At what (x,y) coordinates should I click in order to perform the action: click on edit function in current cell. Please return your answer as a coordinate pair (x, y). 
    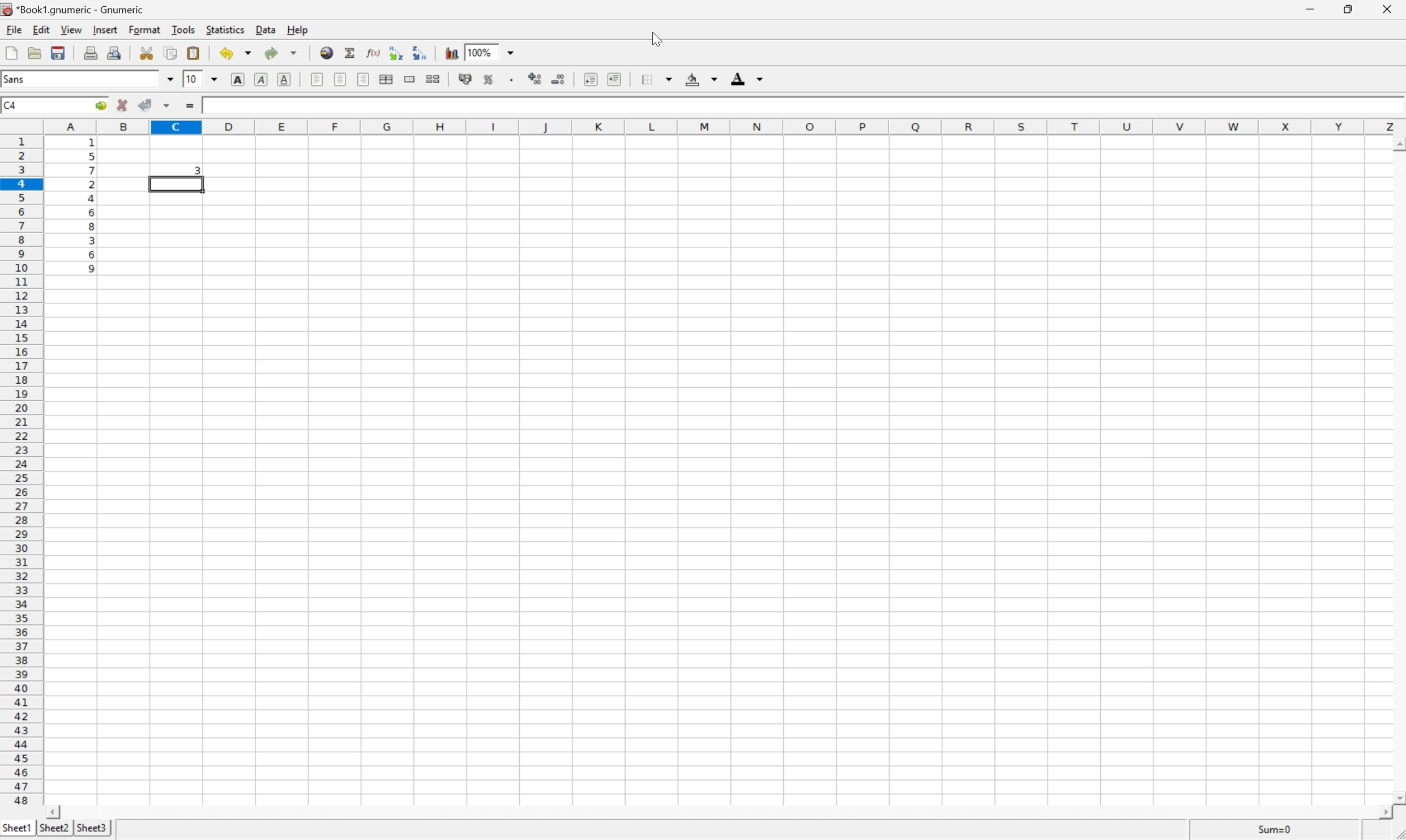
    Looking at the image, I should click on (373, 52).